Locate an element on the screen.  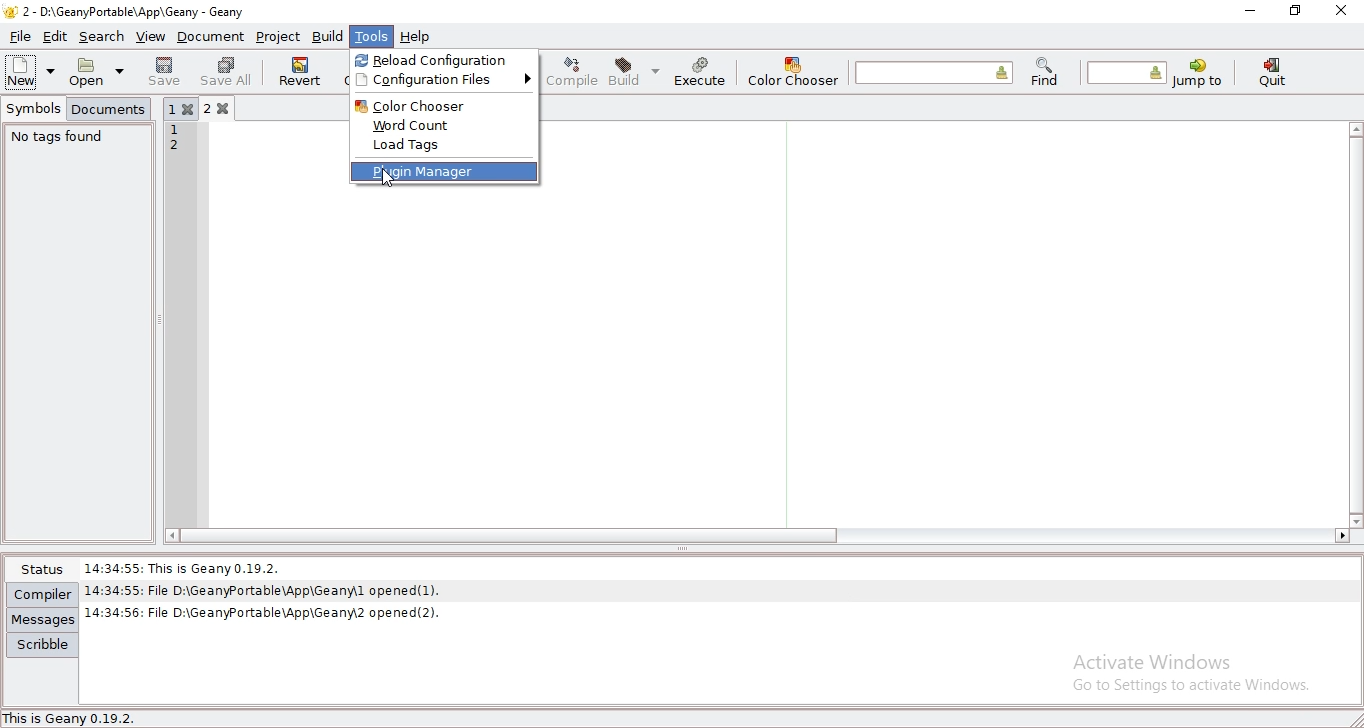
execute is located at coordinates (701, 72).